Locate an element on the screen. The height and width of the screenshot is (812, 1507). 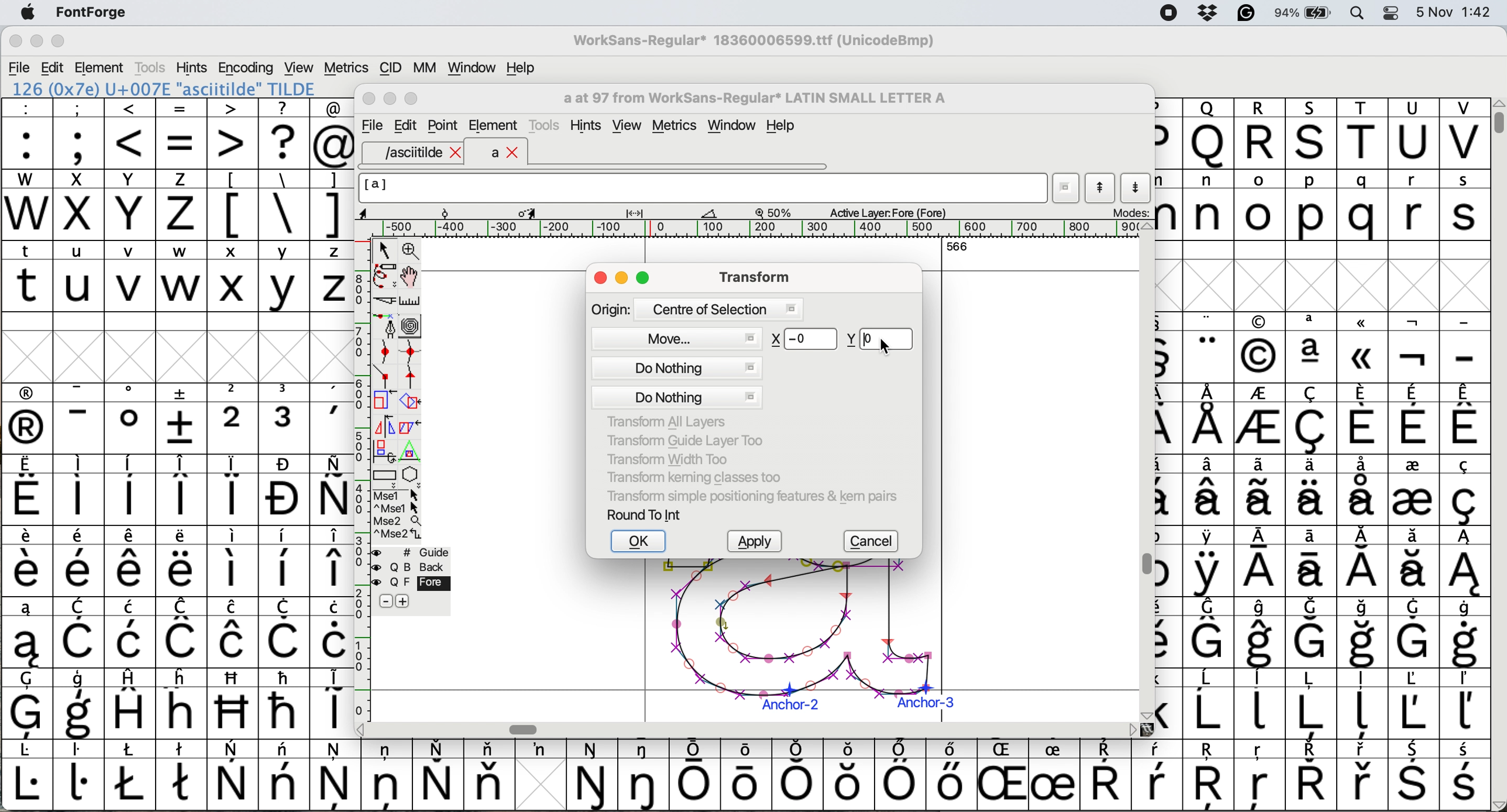
symbol is located at coordinates (1310, 775).